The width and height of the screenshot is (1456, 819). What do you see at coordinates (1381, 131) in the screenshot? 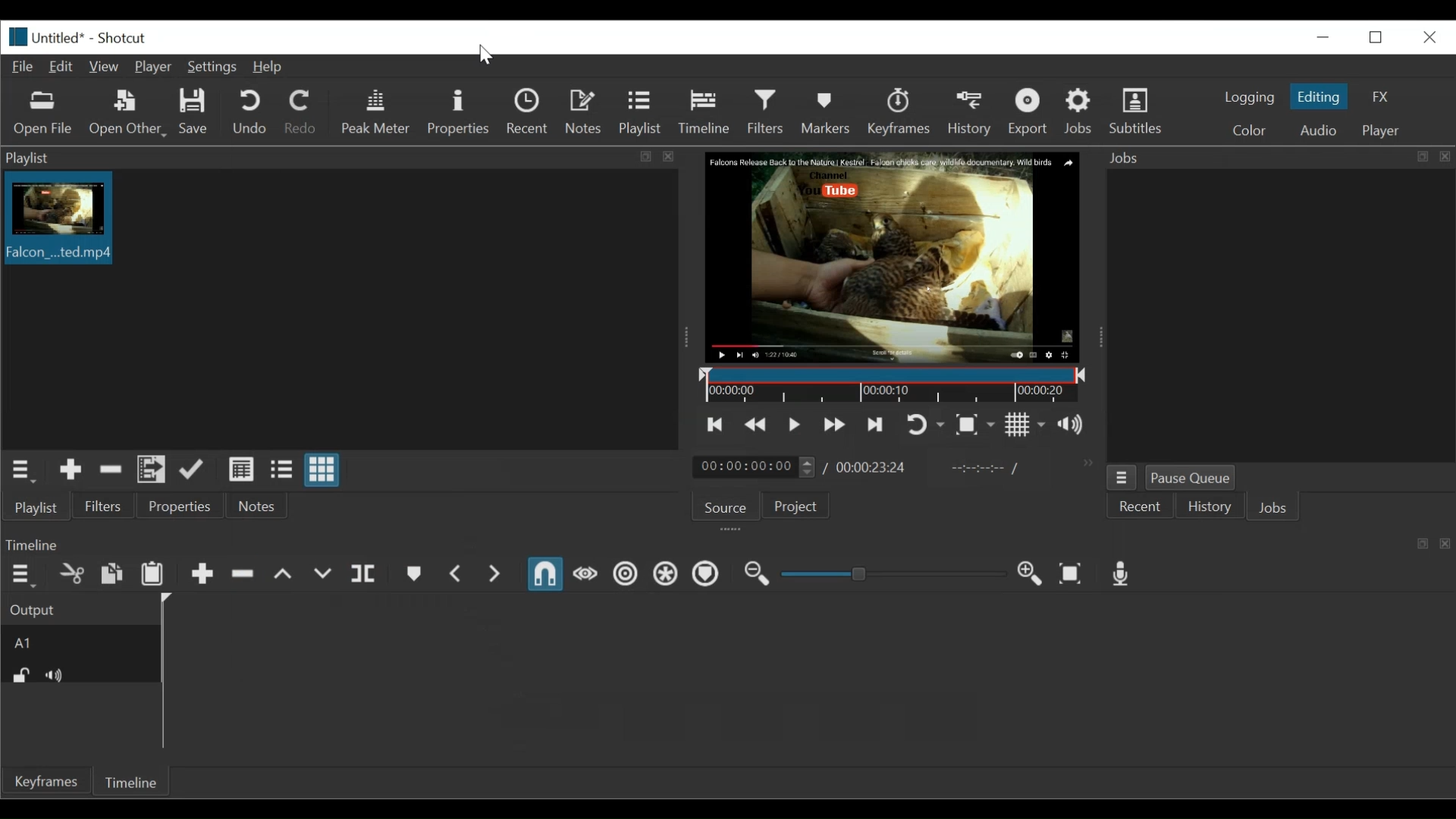
I see `Player` at bounding box center [1381, 131].